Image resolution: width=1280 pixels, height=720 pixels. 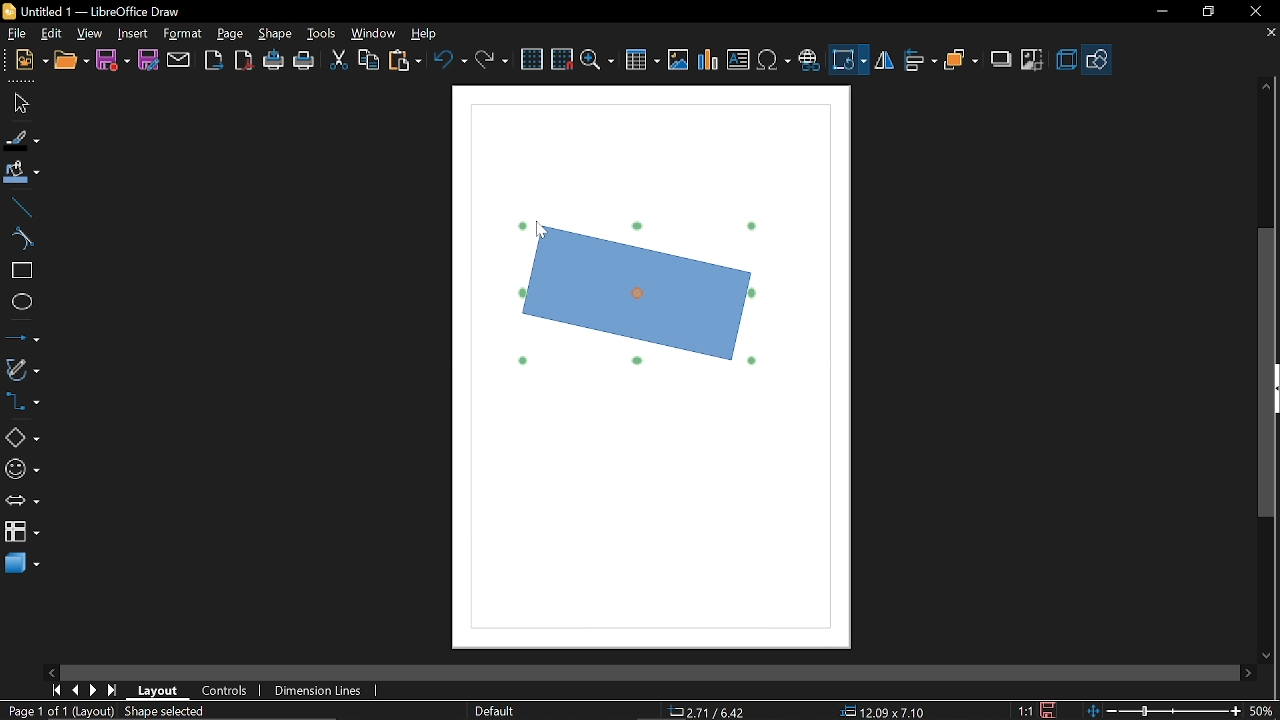 I want to click on Export as pdf, so click(x=245, y=61).